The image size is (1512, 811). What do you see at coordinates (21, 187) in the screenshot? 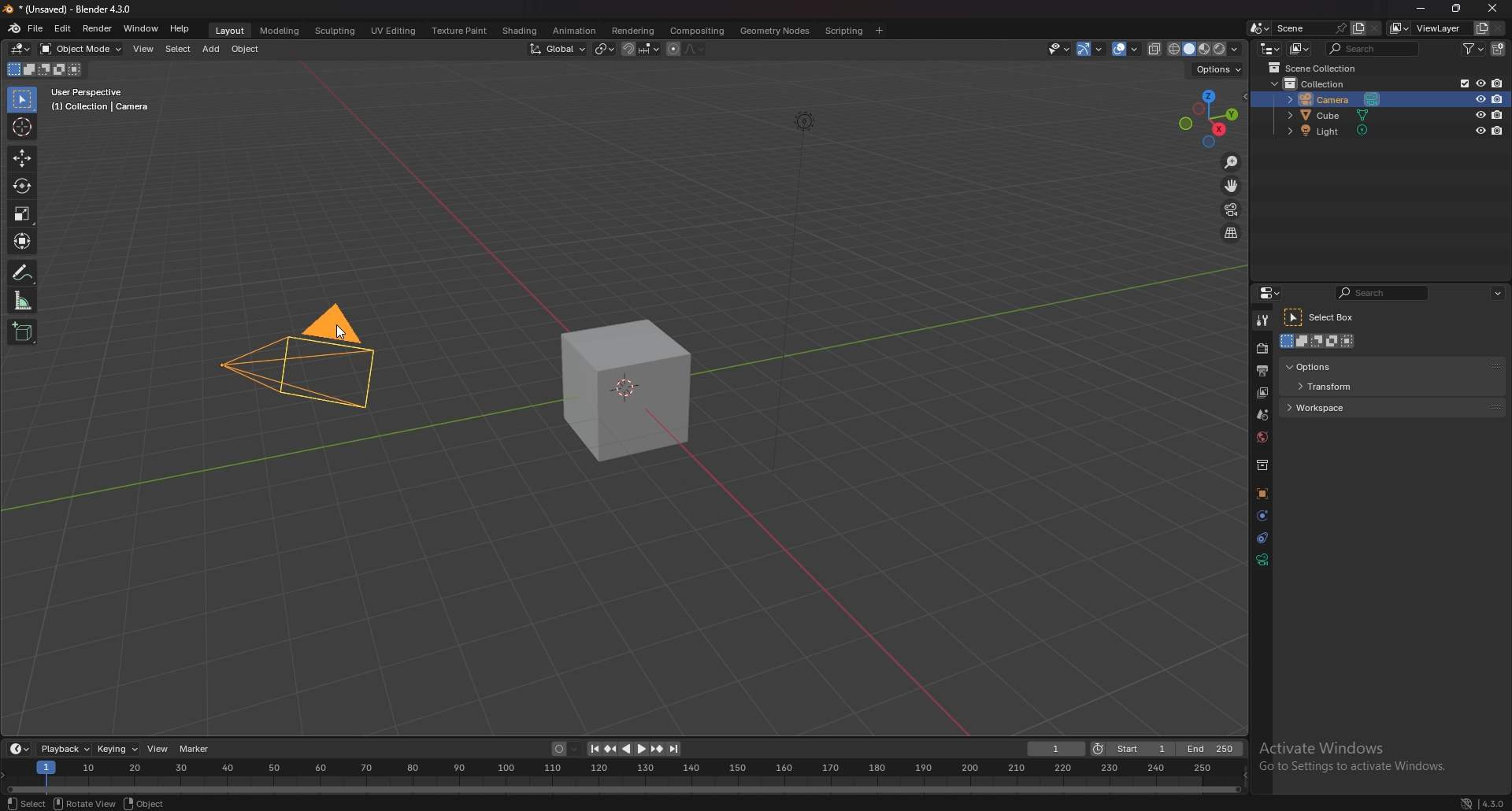
I see `rotate` at bounding box center [21, 187].